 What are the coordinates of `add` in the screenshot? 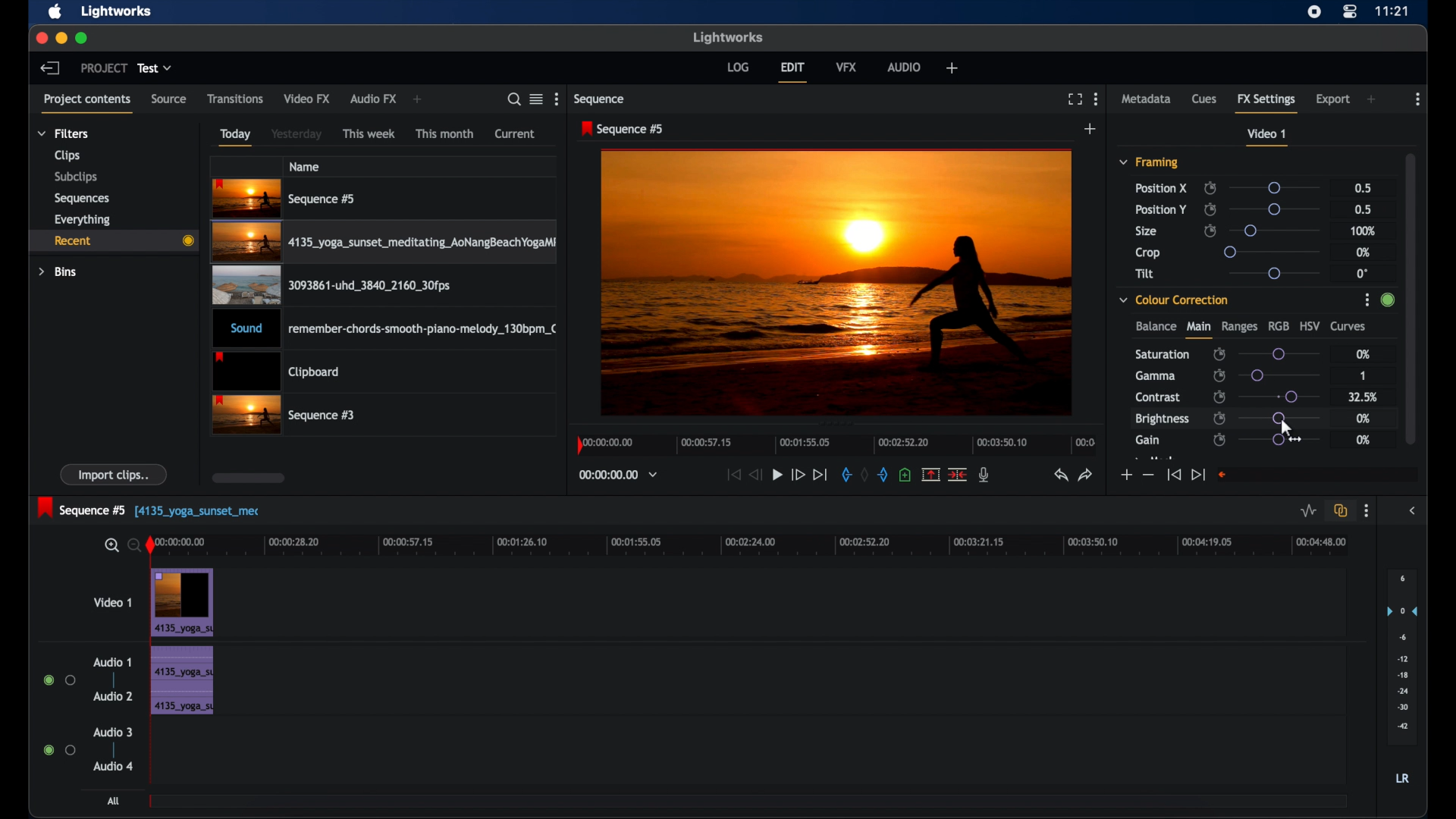 It's located at (1090, 129).